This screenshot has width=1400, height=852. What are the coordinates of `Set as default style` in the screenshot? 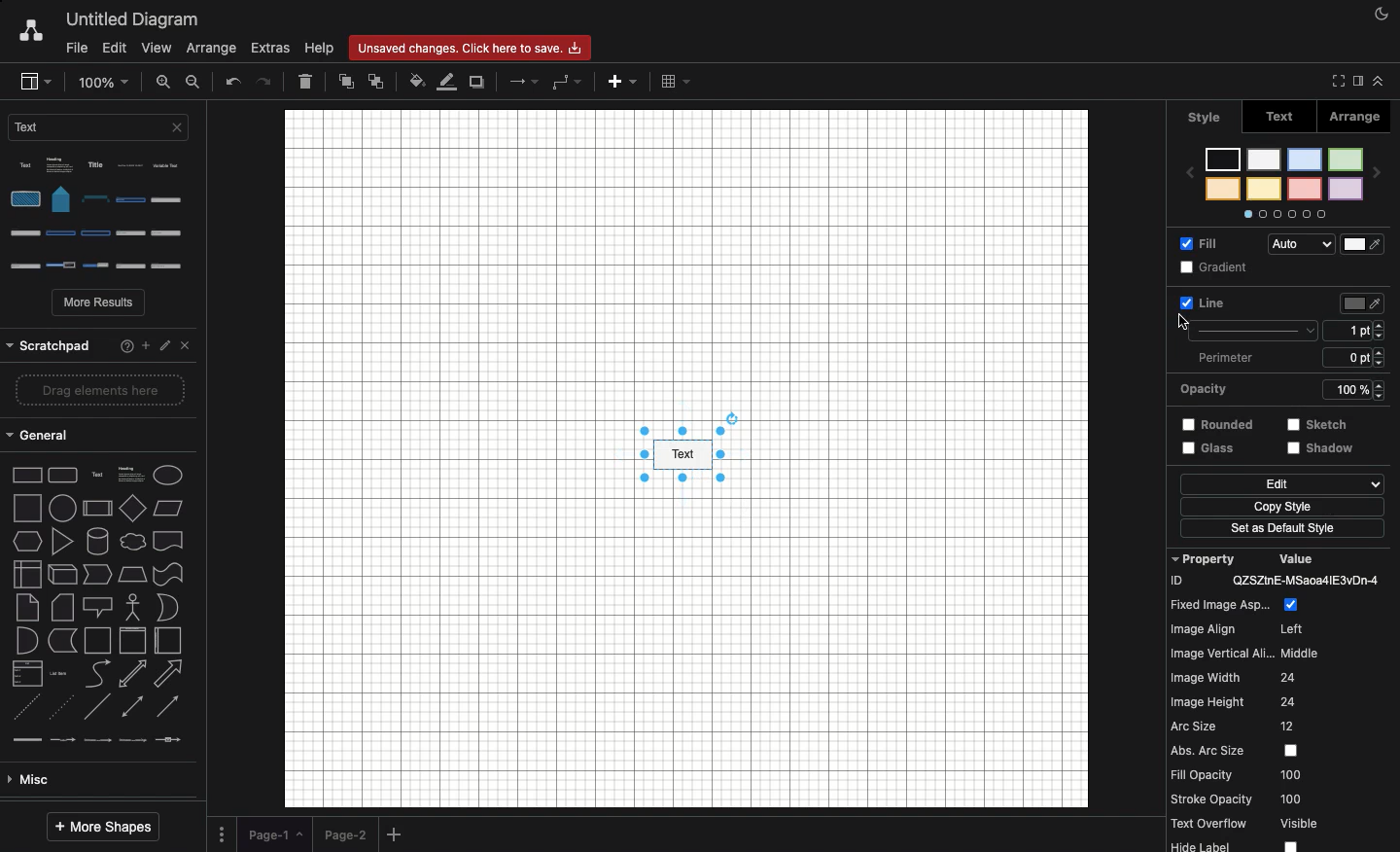 It's located at (1283, 505).